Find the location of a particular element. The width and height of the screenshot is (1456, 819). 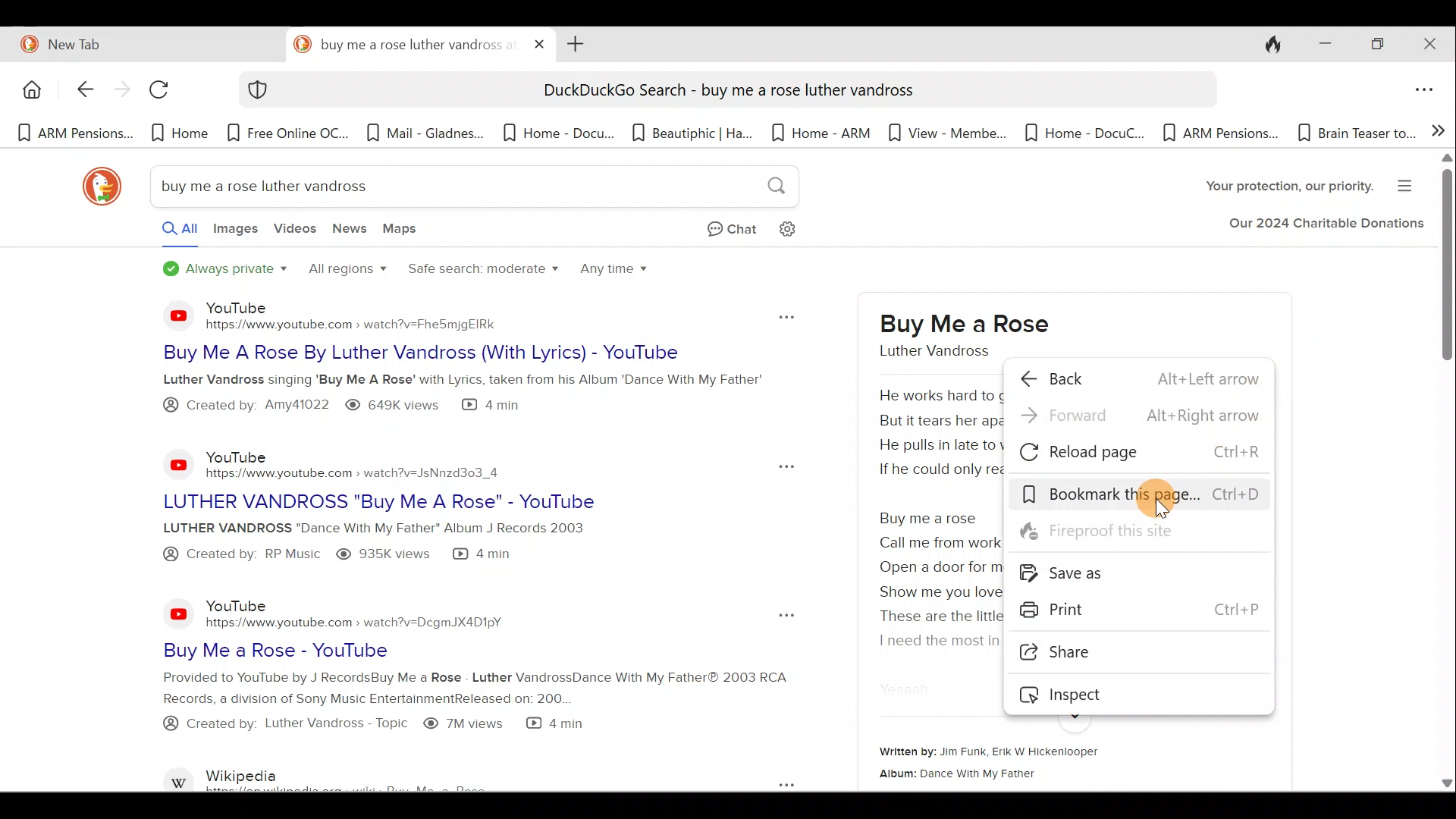

Safe search: moderate is located at coordinates (480, 275).